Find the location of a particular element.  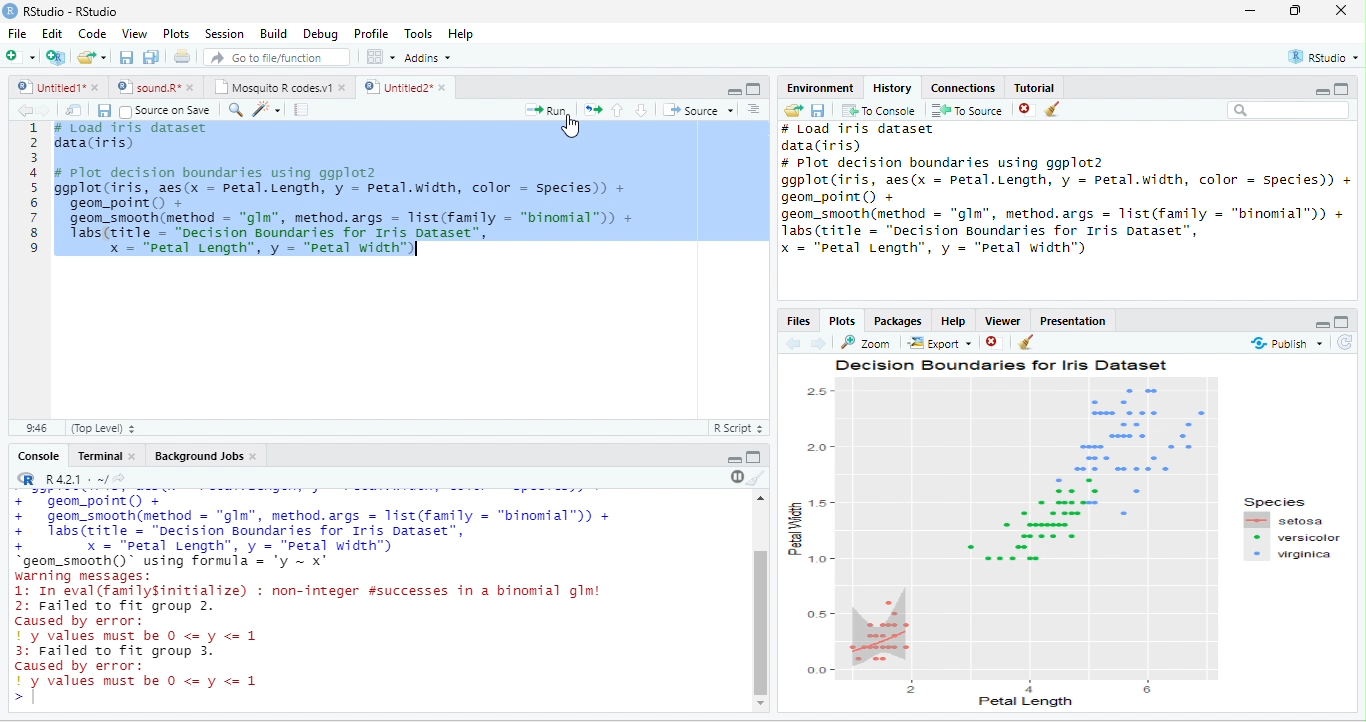

Source on Save is located at coordinates (164, 111).